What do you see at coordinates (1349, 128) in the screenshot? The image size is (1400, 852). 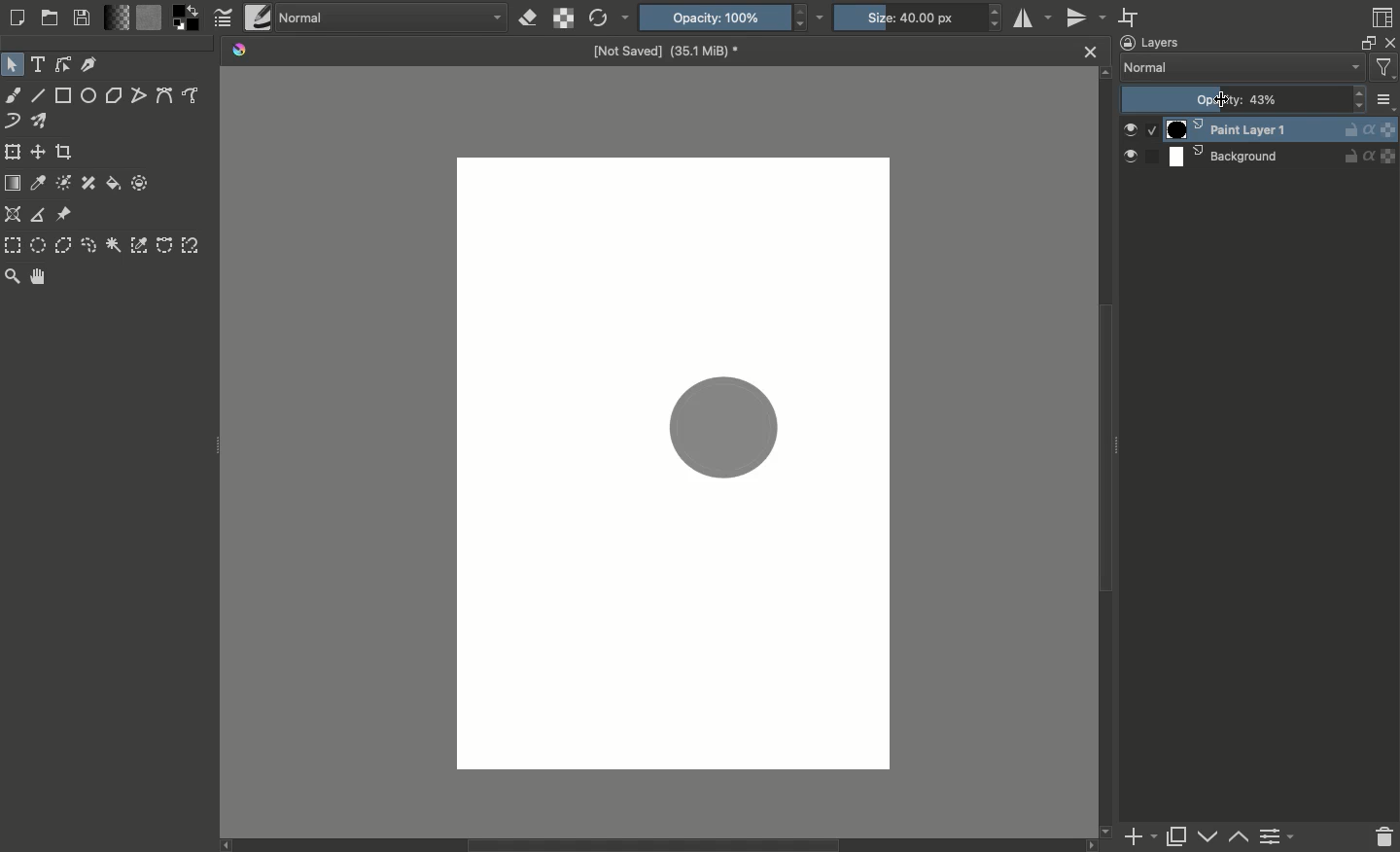 I see `Unlocked` at bounding box center [1349, 128].